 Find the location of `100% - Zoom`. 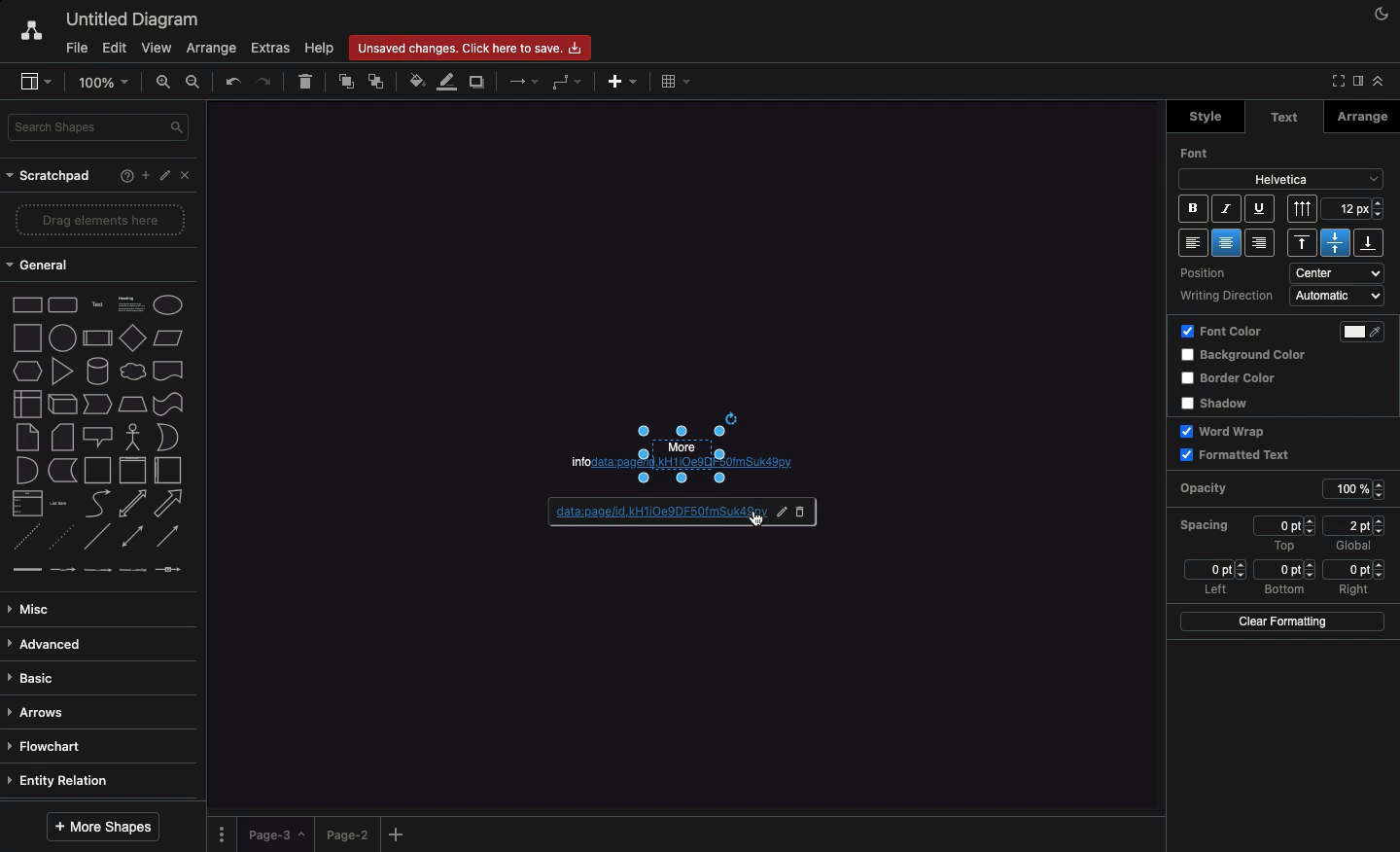

100% - Zoom is located at coordinates (106, 82).